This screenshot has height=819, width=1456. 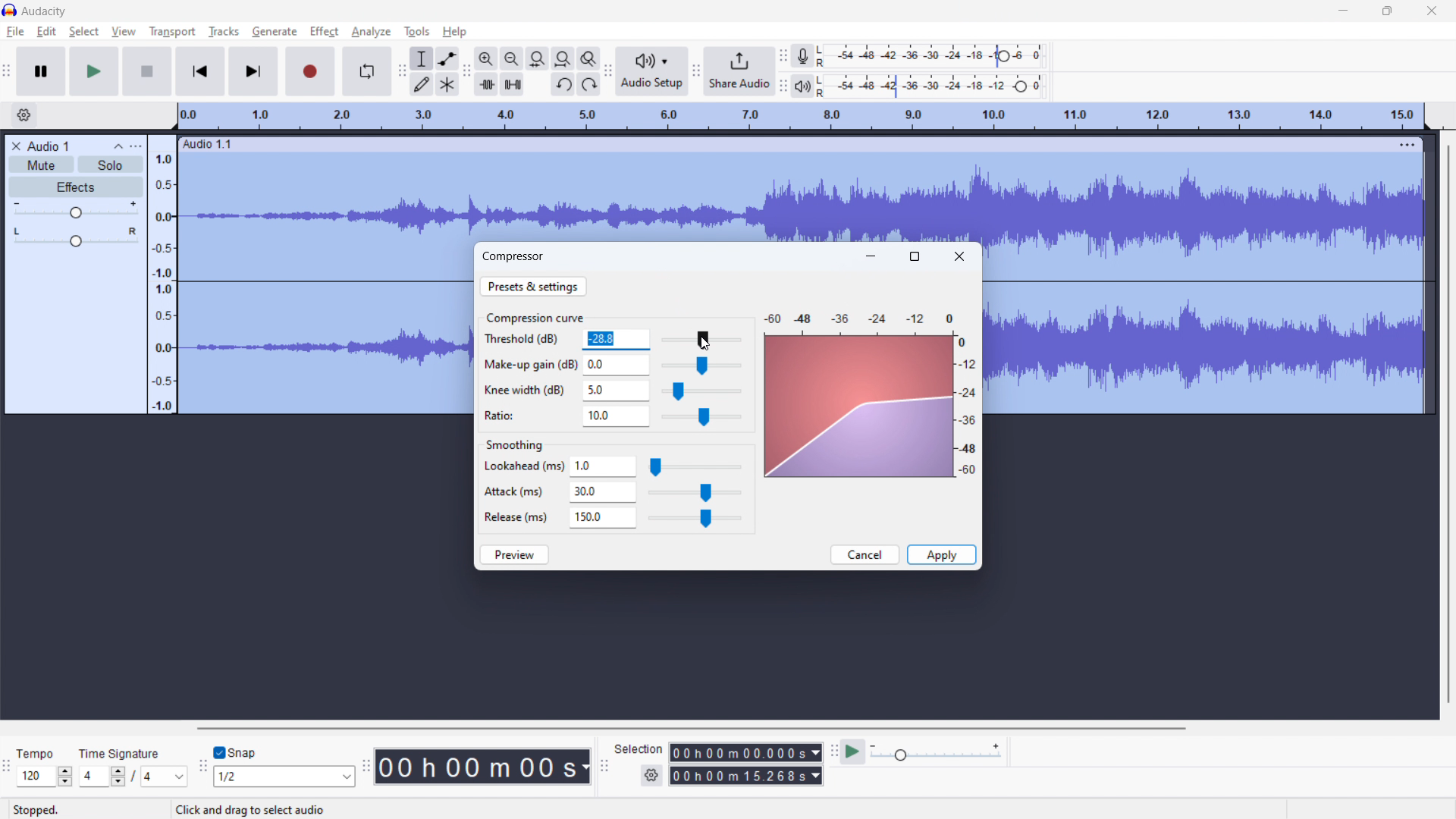 I want to click on Release (ms), so click(x=516, y=516).